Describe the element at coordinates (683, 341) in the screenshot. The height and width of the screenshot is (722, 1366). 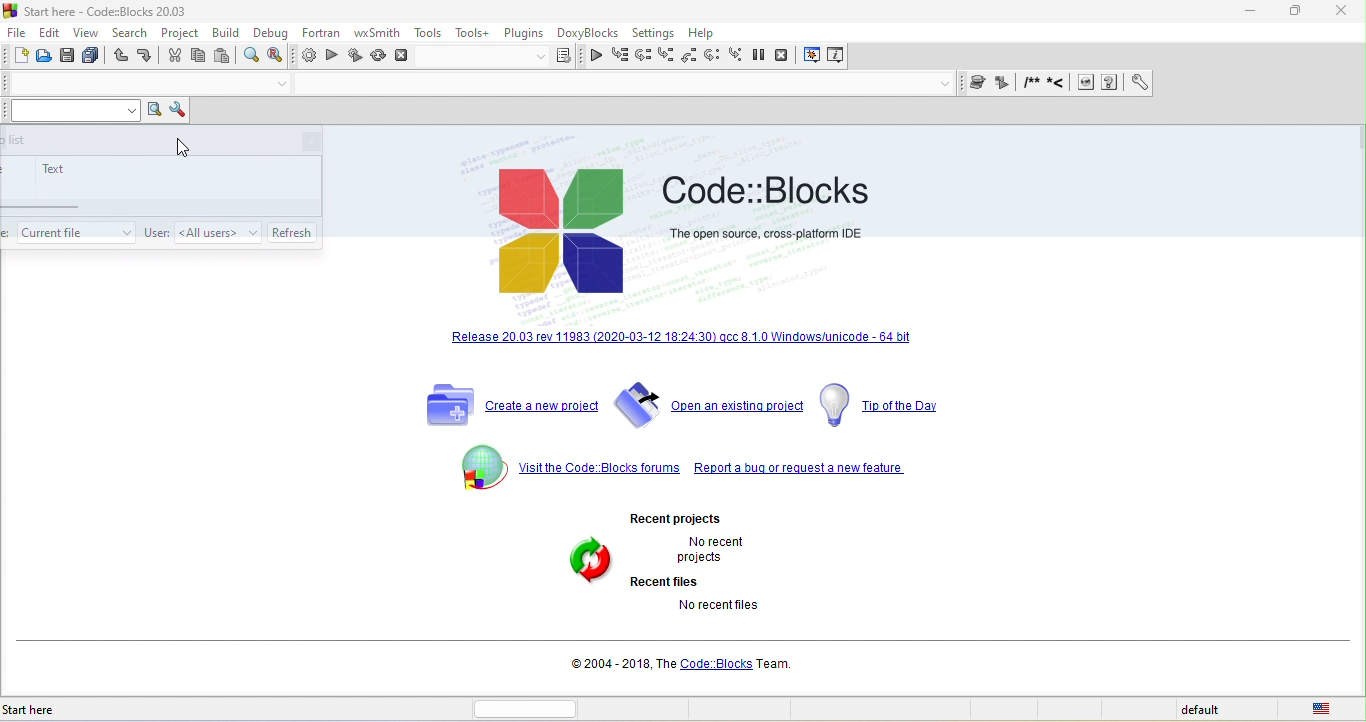
I see `release 20.03 rev 11983[20220-03-12 18.24.30] qcc 8.10 window unicode 64 bit` at that location.